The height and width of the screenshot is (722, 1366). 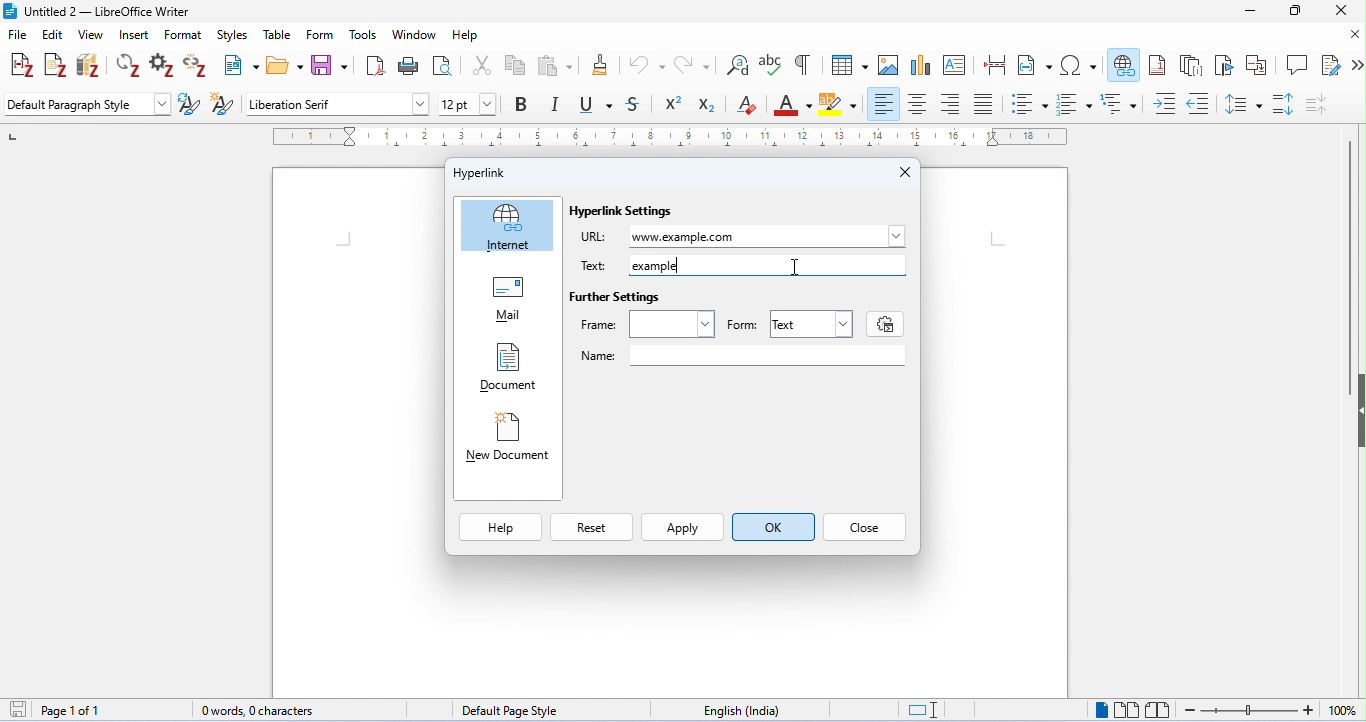 What do you see at coordinates (1121, 105) in the screenshot?
I see `multilevel list` at bounding box center [1121, 105].